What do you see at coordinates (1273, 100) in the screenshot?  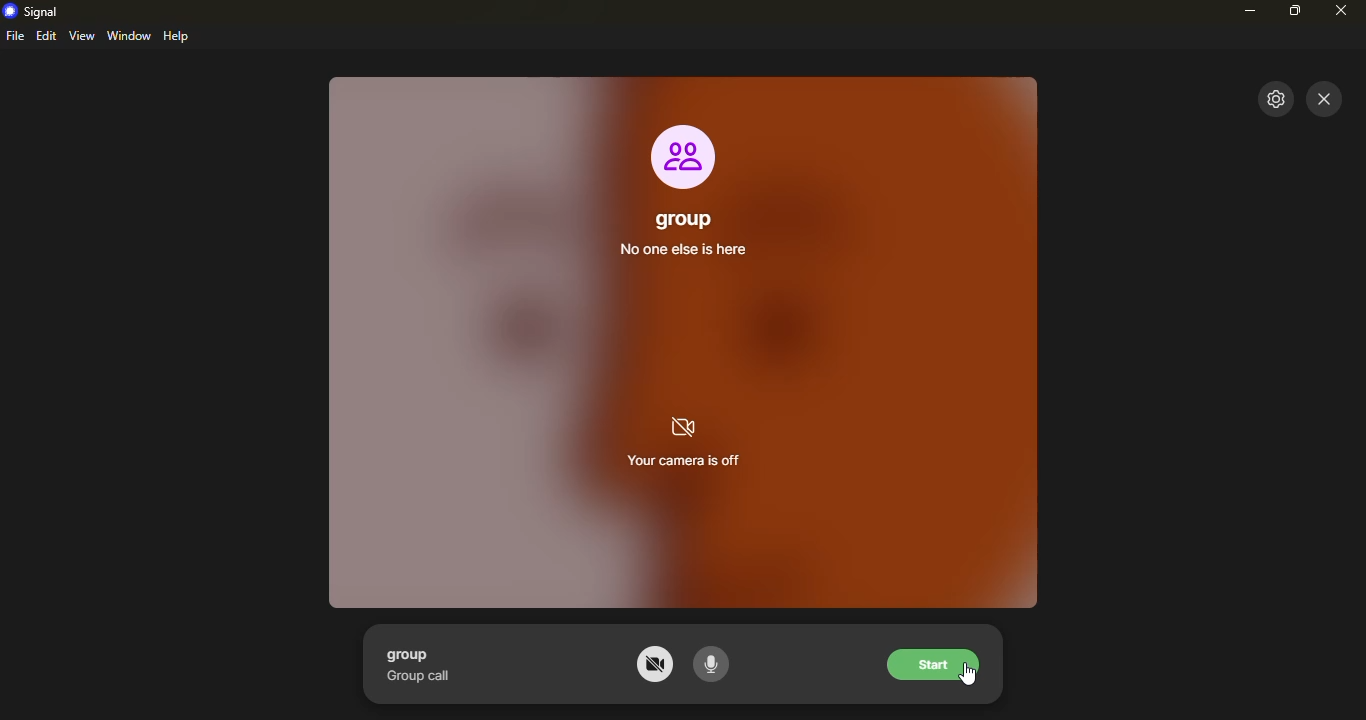 I see `settings` at bounding box center [1273, 100].